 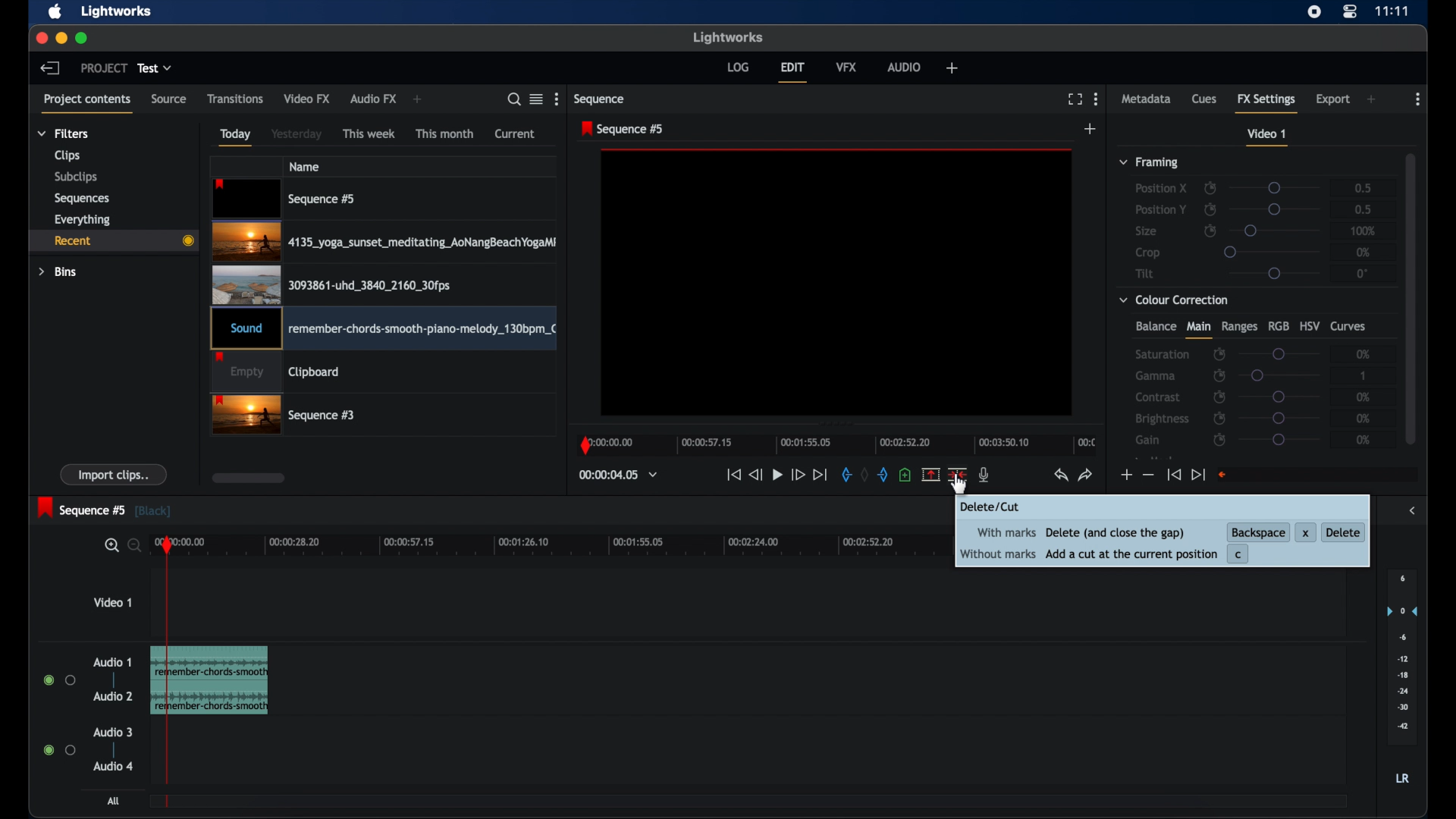 I want to click on transitions, so click(x=235, y=99).